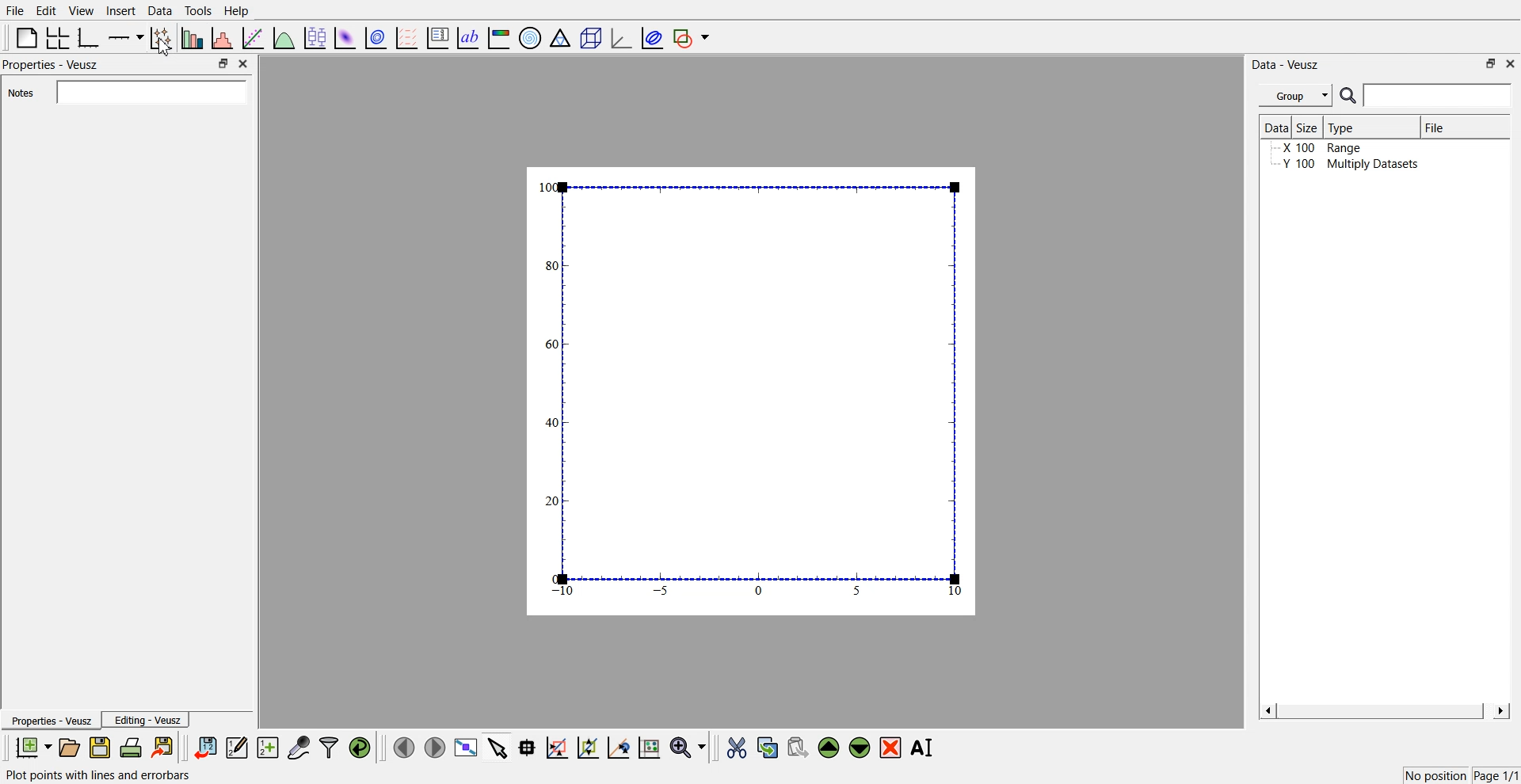  What do you see at coordinates (47, 10) in the screenshot?
I see `Edit` at bounding box center [47, 10].